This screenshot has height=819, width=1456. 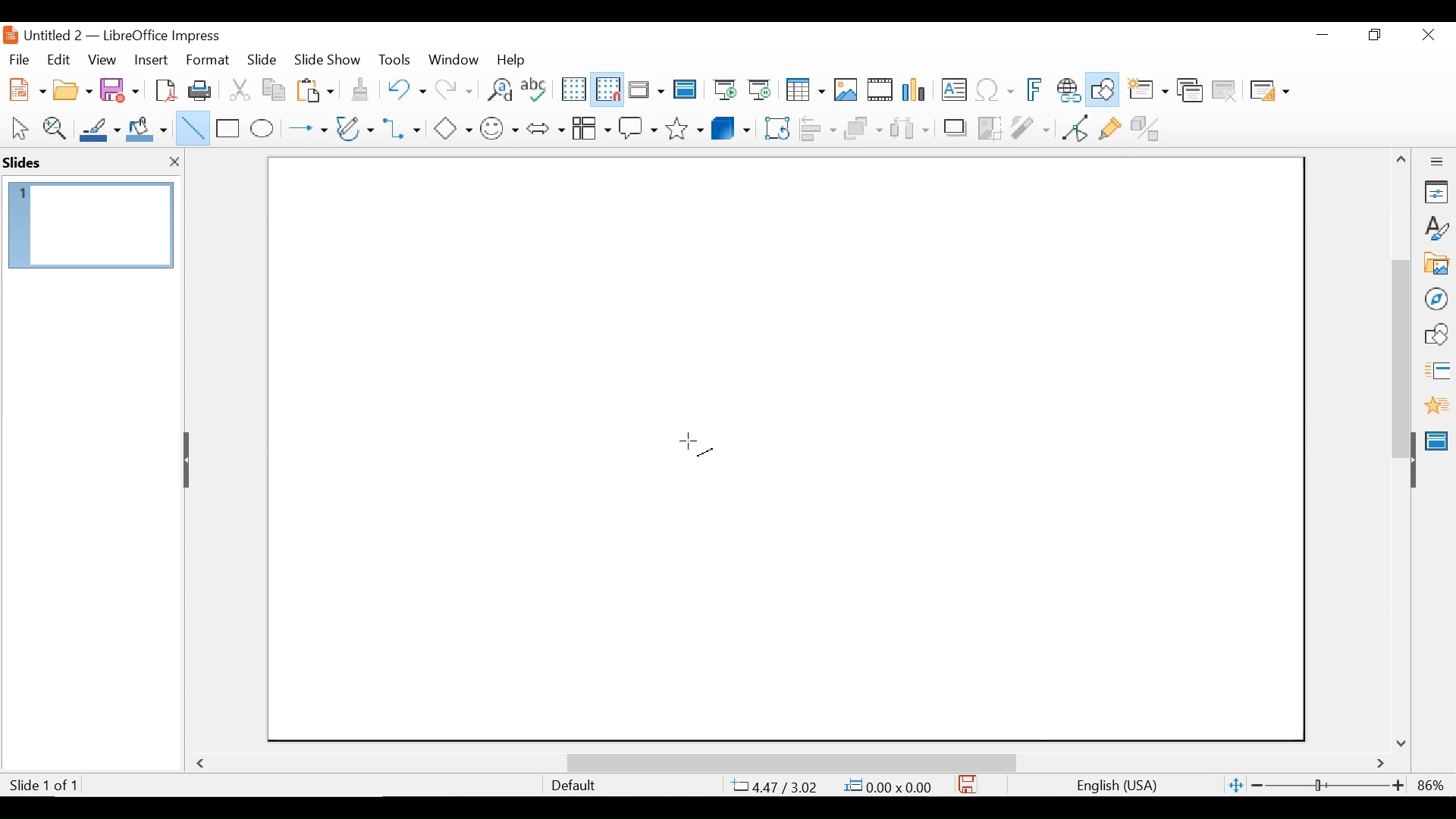 I want to click on Zoom & Pan, so click(x=54, y=127).